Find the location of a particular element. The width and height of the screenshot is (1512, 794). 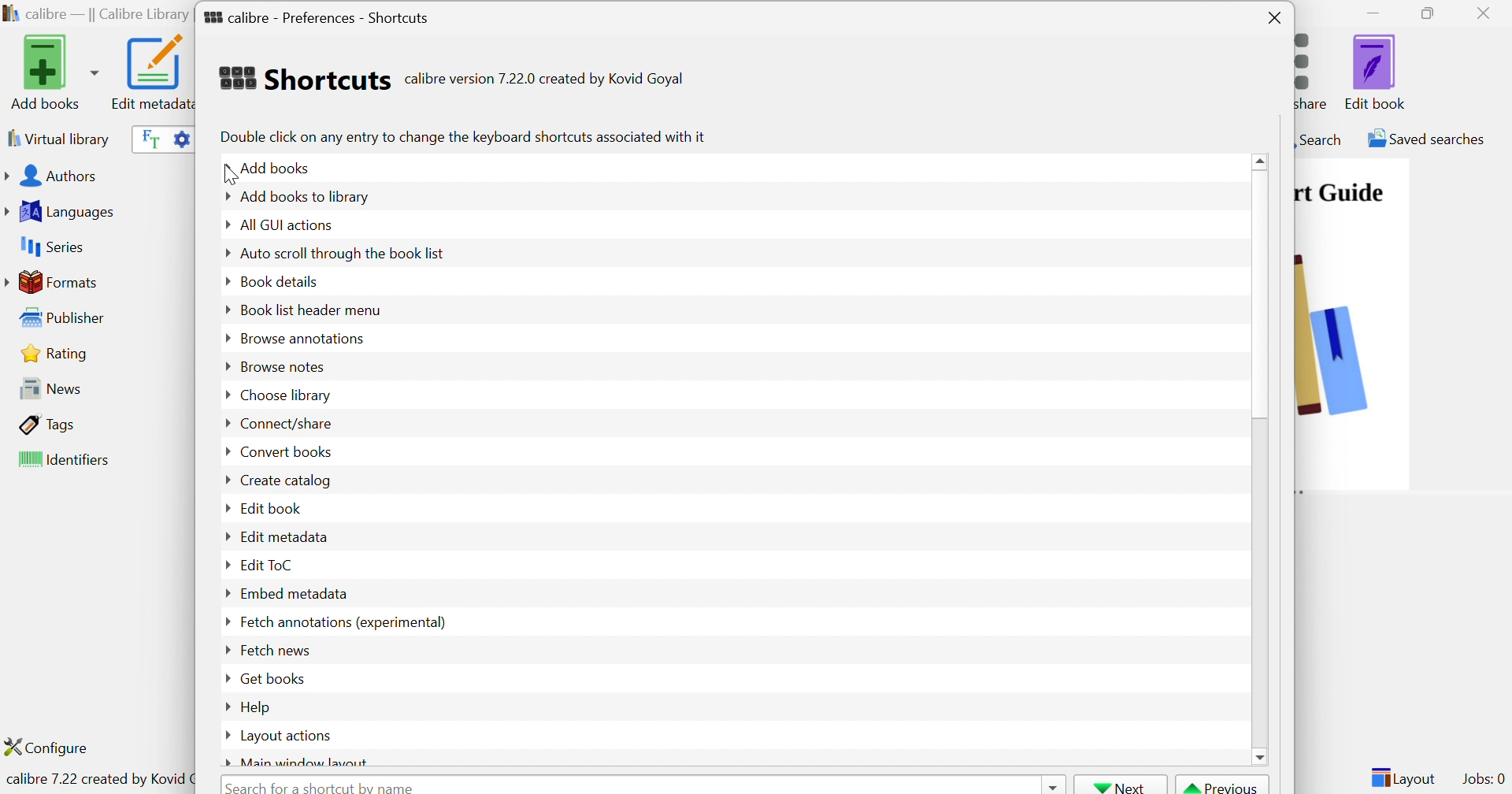

Add books to library is located at coordinates (306, 196).